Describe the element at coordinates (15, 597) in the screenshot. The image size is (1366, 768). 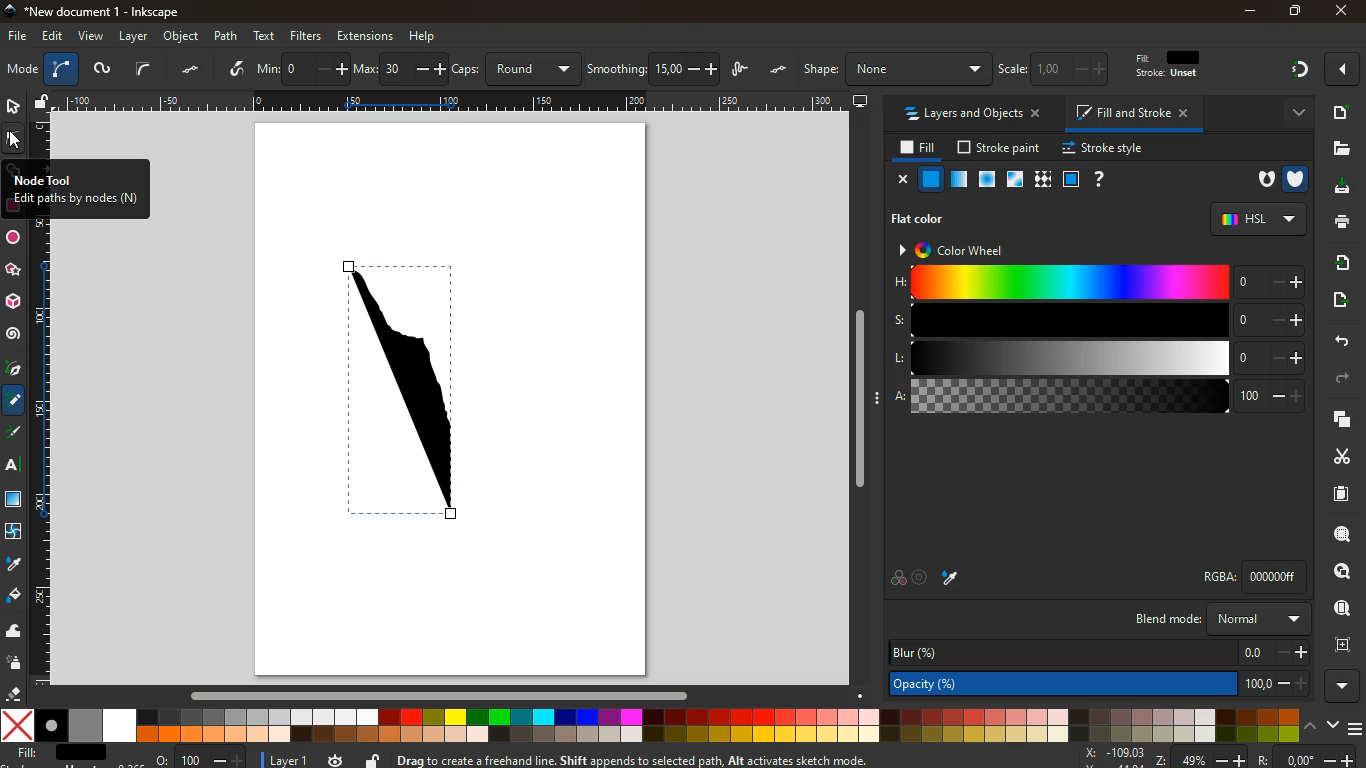
I see `paint` at that location.